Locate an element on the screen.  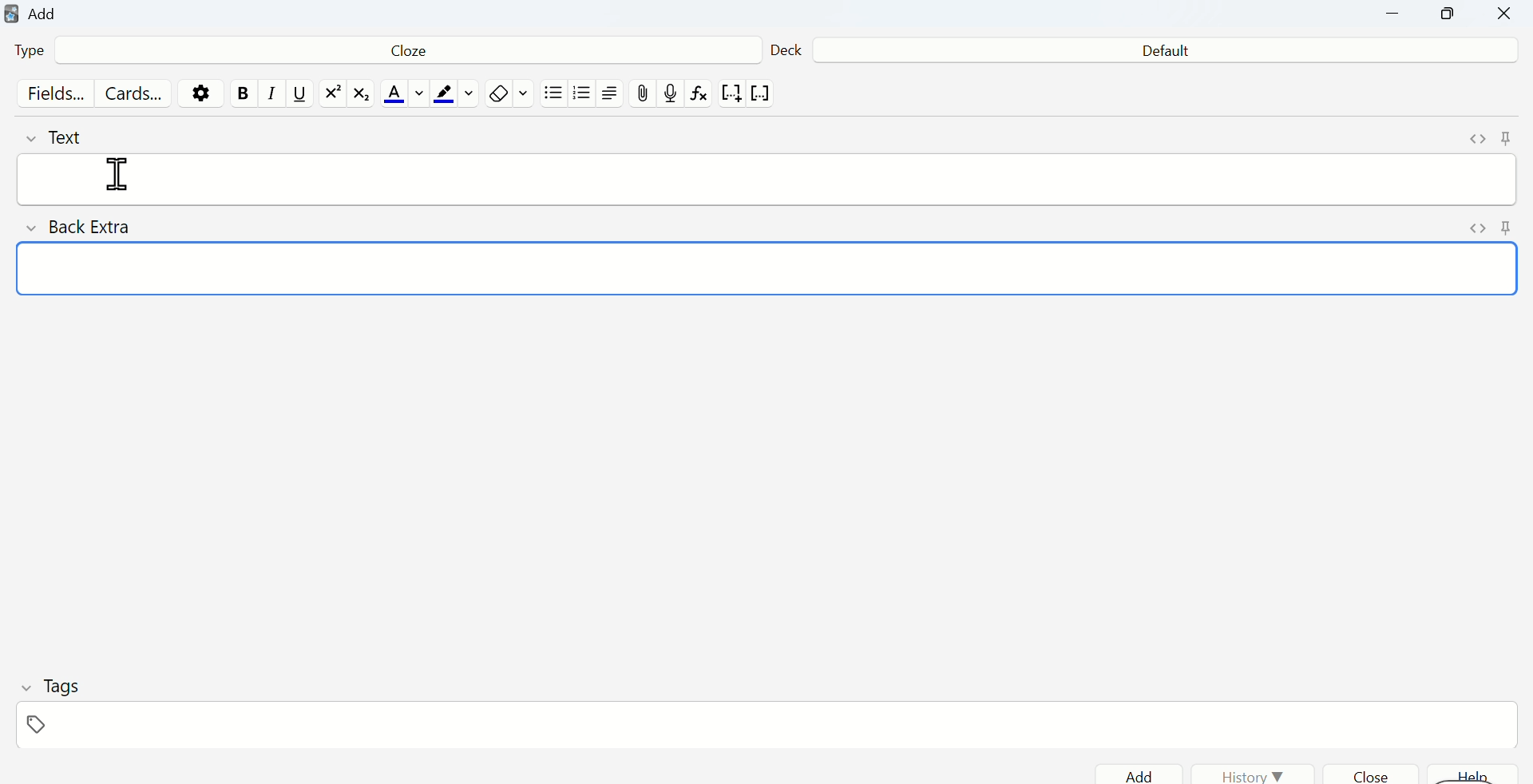
Underline is located at coordinates (299, 95).